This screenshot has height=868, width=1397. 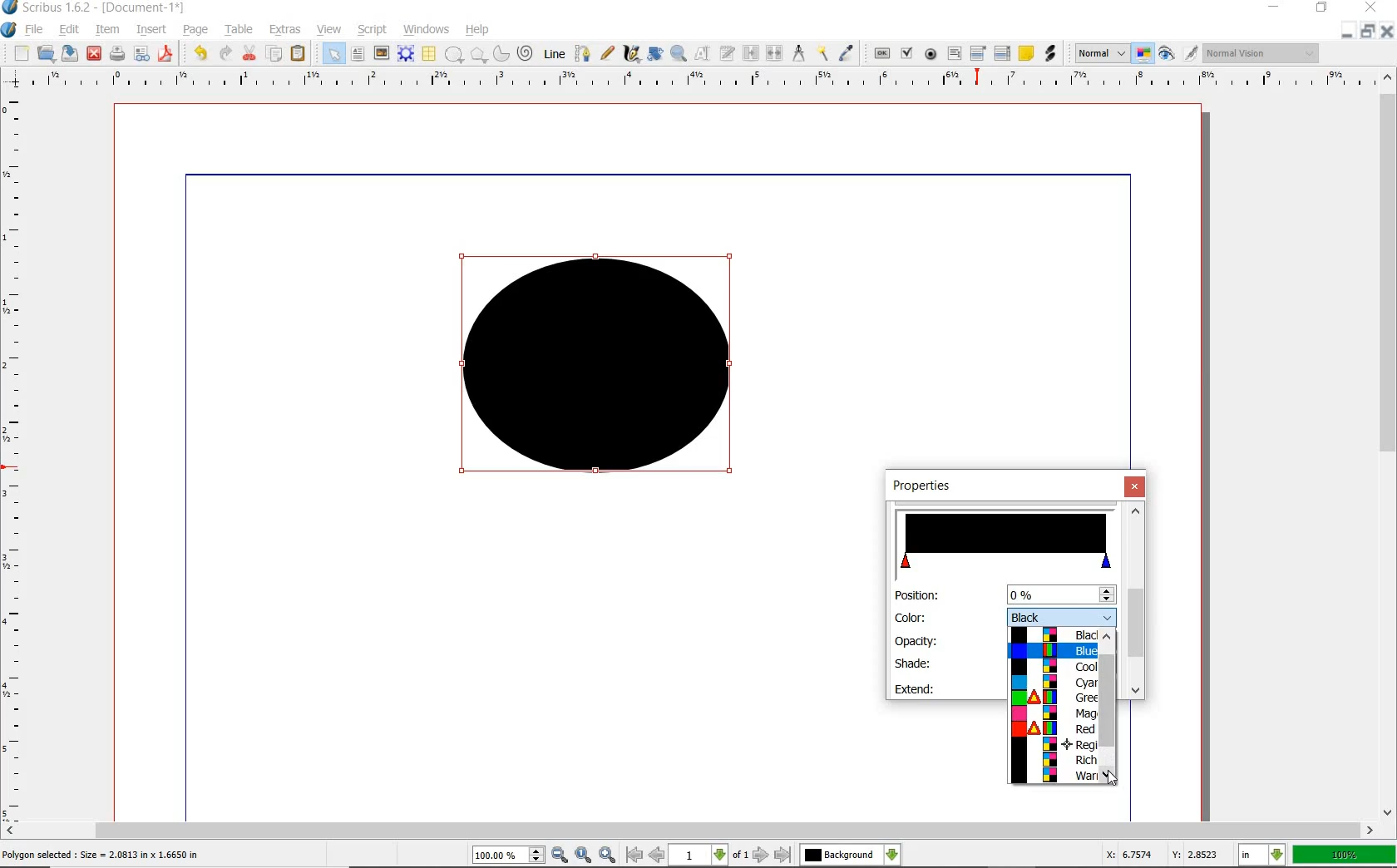 What do you see at coordinates (585, 855) in the screenshot?
I see `zoom to` at bounding box center [585, 855].